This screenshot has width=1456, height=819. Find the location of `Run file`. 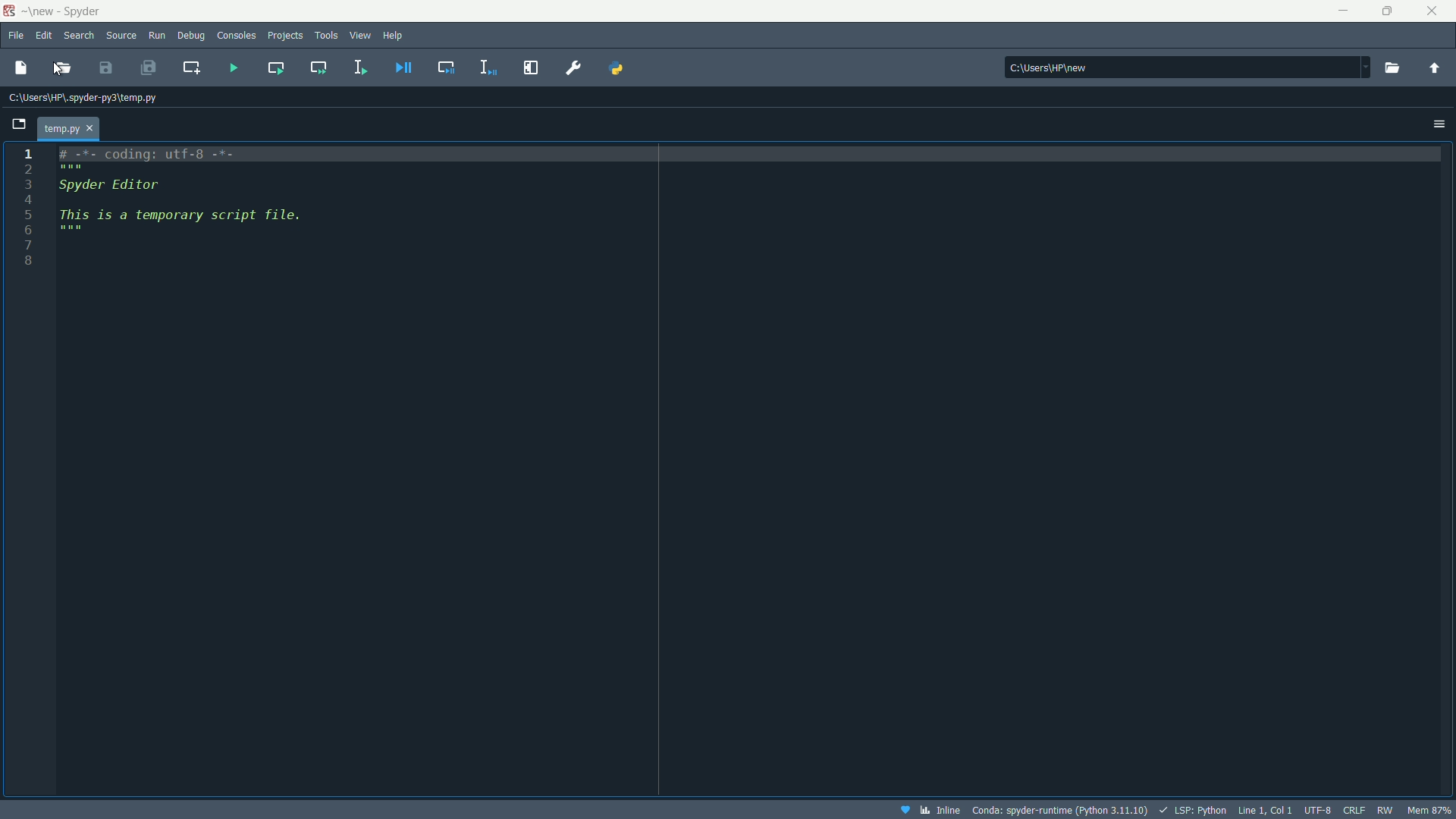

Run file is located at coordinates (234, 68).